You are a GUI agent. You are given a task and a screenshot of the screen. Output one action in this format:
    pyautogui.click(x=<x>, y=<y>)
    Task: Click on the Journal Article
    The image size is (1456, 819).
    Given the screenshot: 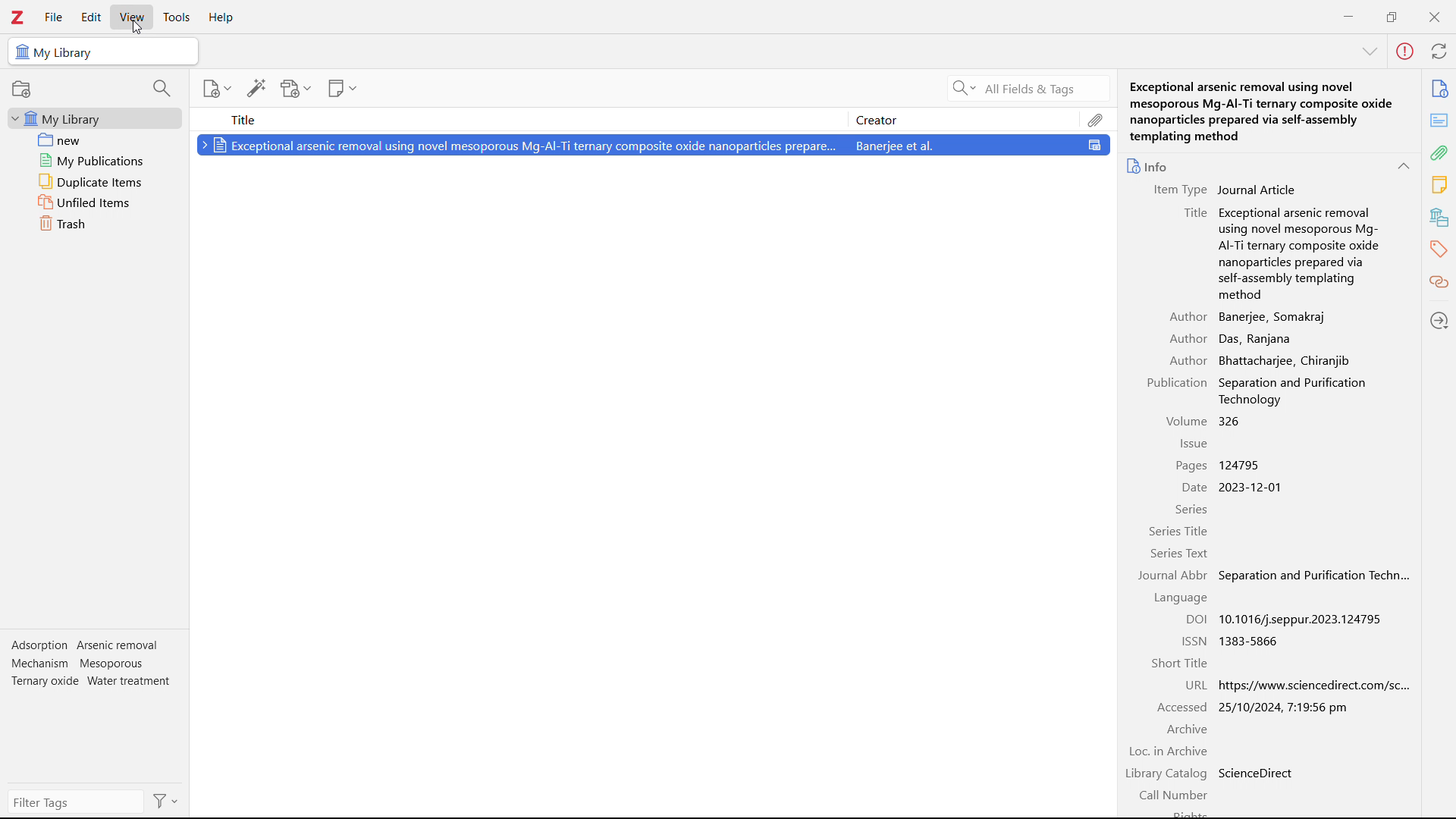 What is the action you would take?
    pyautogui.click(x=1257, y=190)
    